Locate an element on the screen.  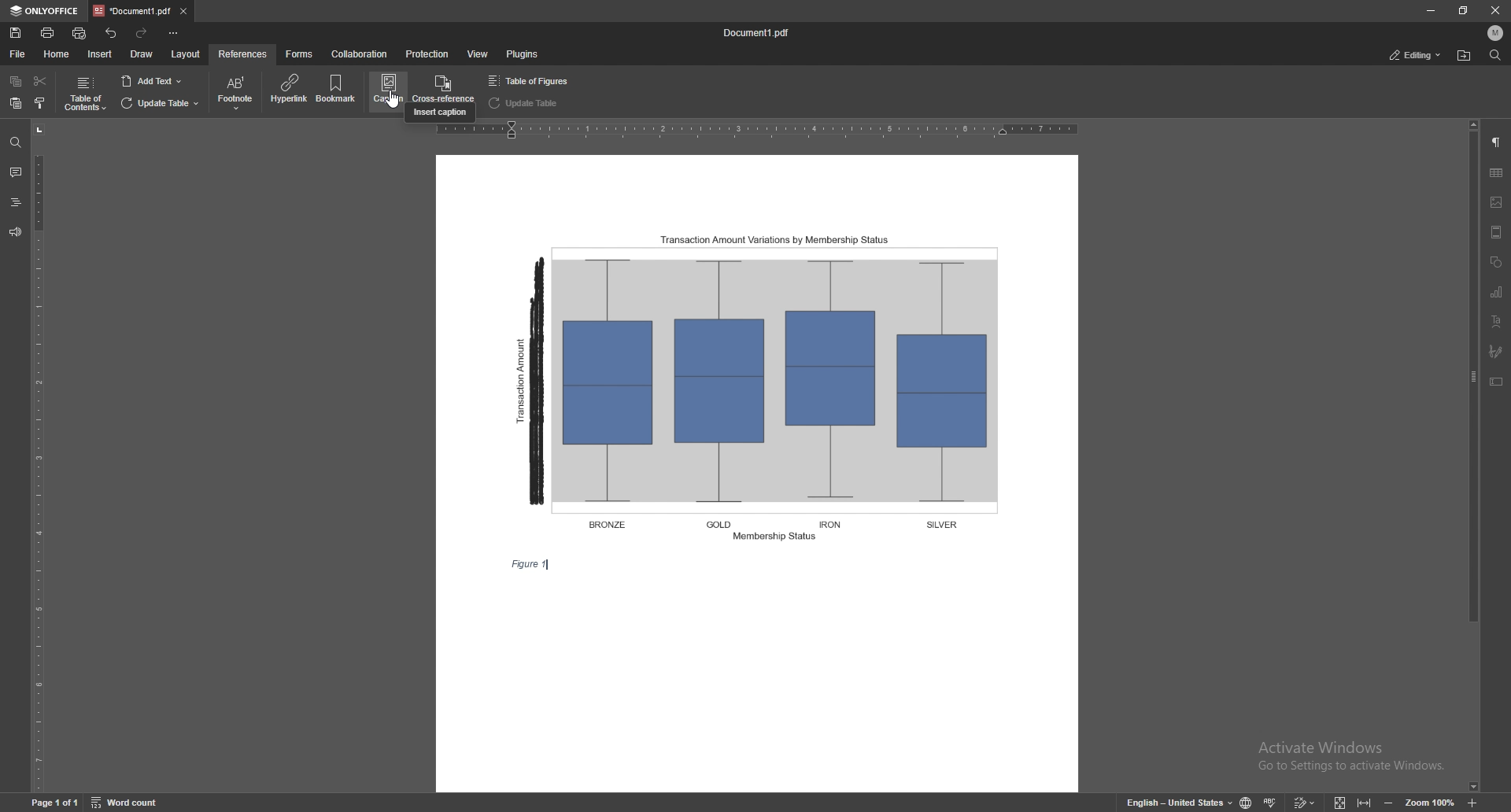
zoom out is located at coordinates (1389, 801).